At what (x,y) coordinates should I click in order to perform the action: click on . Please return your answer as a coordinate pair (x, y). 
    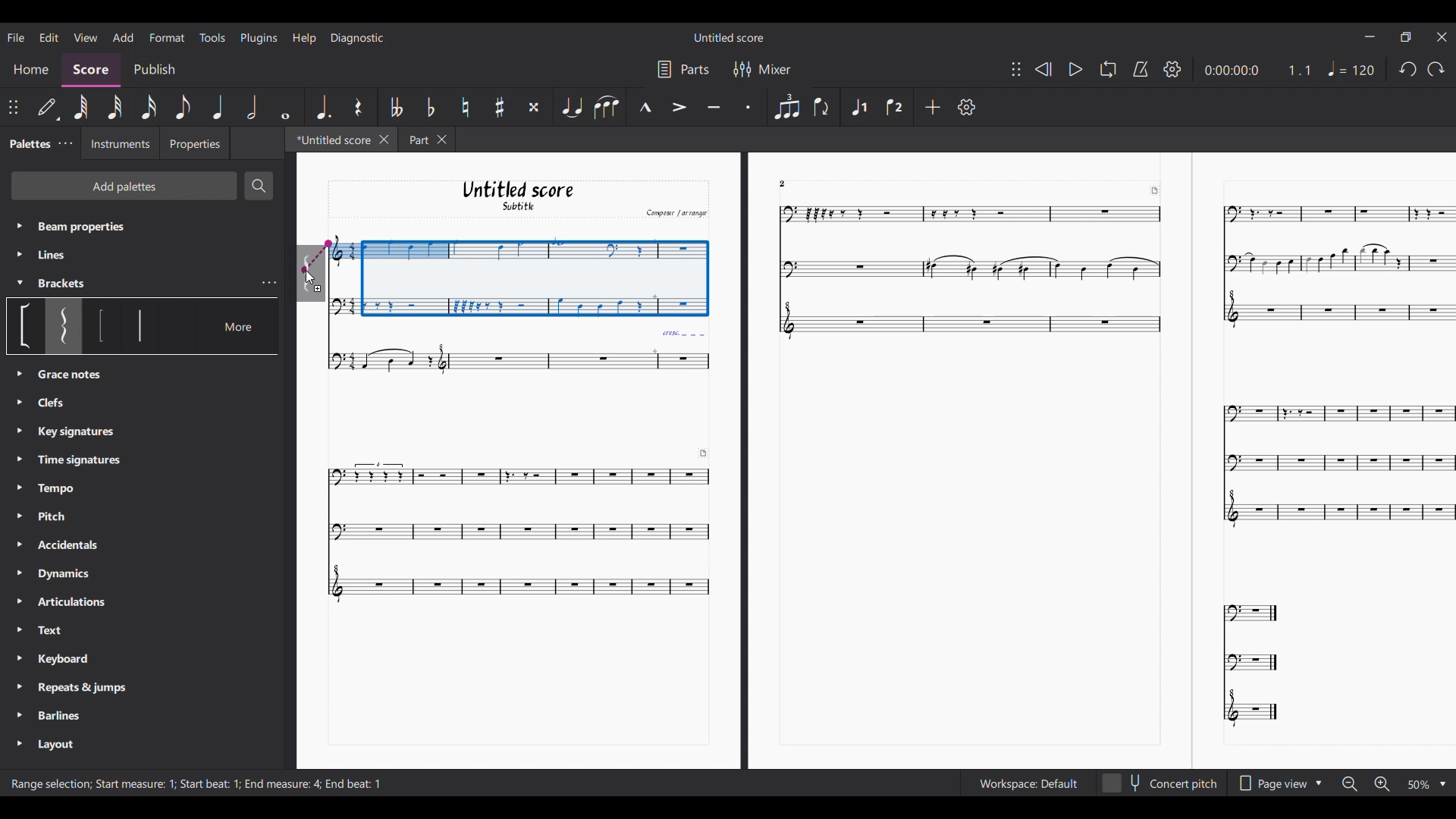
    Looking at the image, I should click on (664, 67).